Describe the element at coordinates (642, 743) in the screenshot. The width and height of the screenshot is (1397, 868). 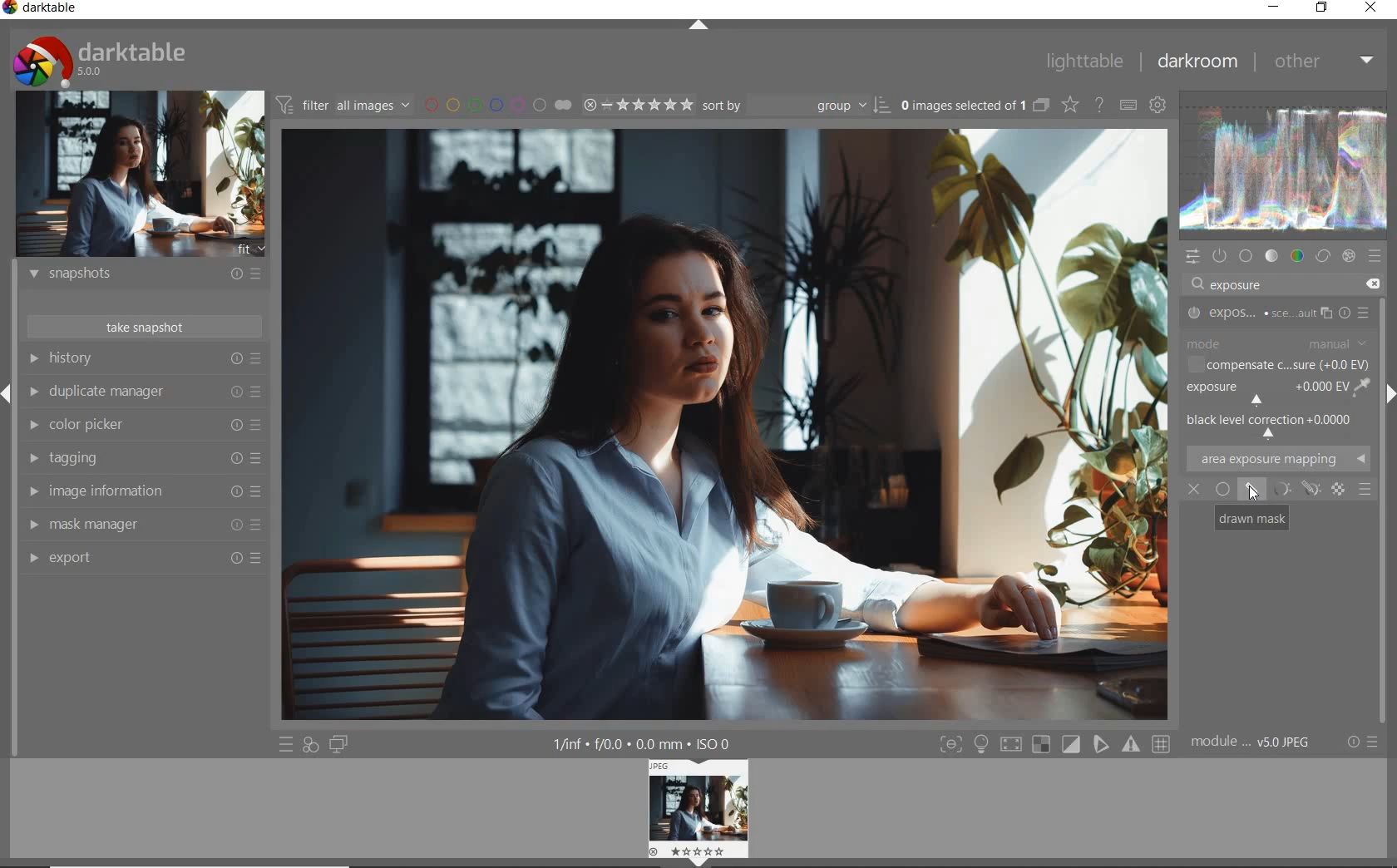
I see `other display information` at that location.